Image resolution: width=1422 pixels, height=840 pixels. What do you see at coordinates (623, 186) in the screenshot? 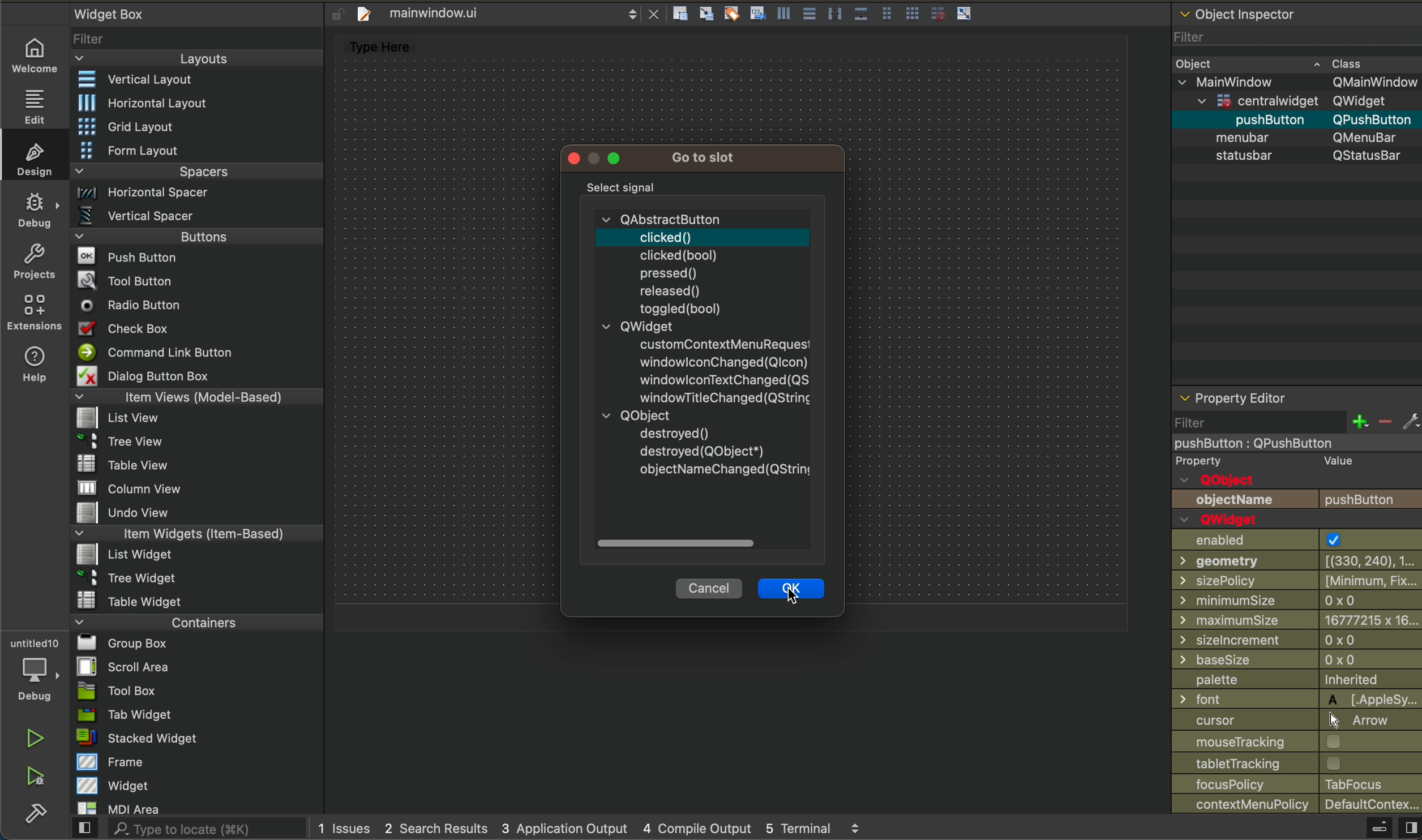
I see `Select sianal` at bounding box center [623, 186].